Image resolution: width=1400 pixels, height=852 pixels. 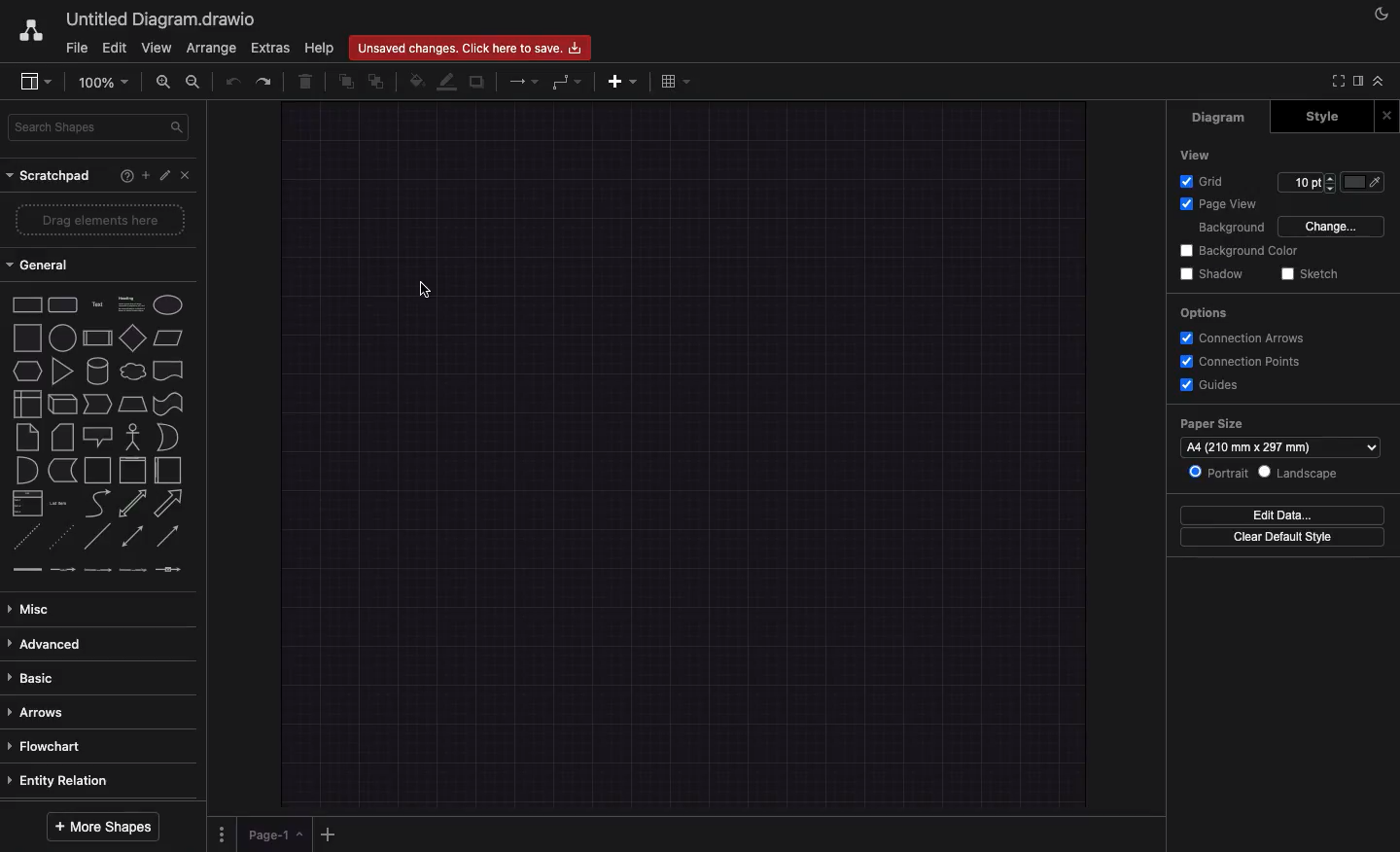 What do you see at coordinates (167, 538) in the screenshot?
I see `directional connector` at bounding box center [167, 538].